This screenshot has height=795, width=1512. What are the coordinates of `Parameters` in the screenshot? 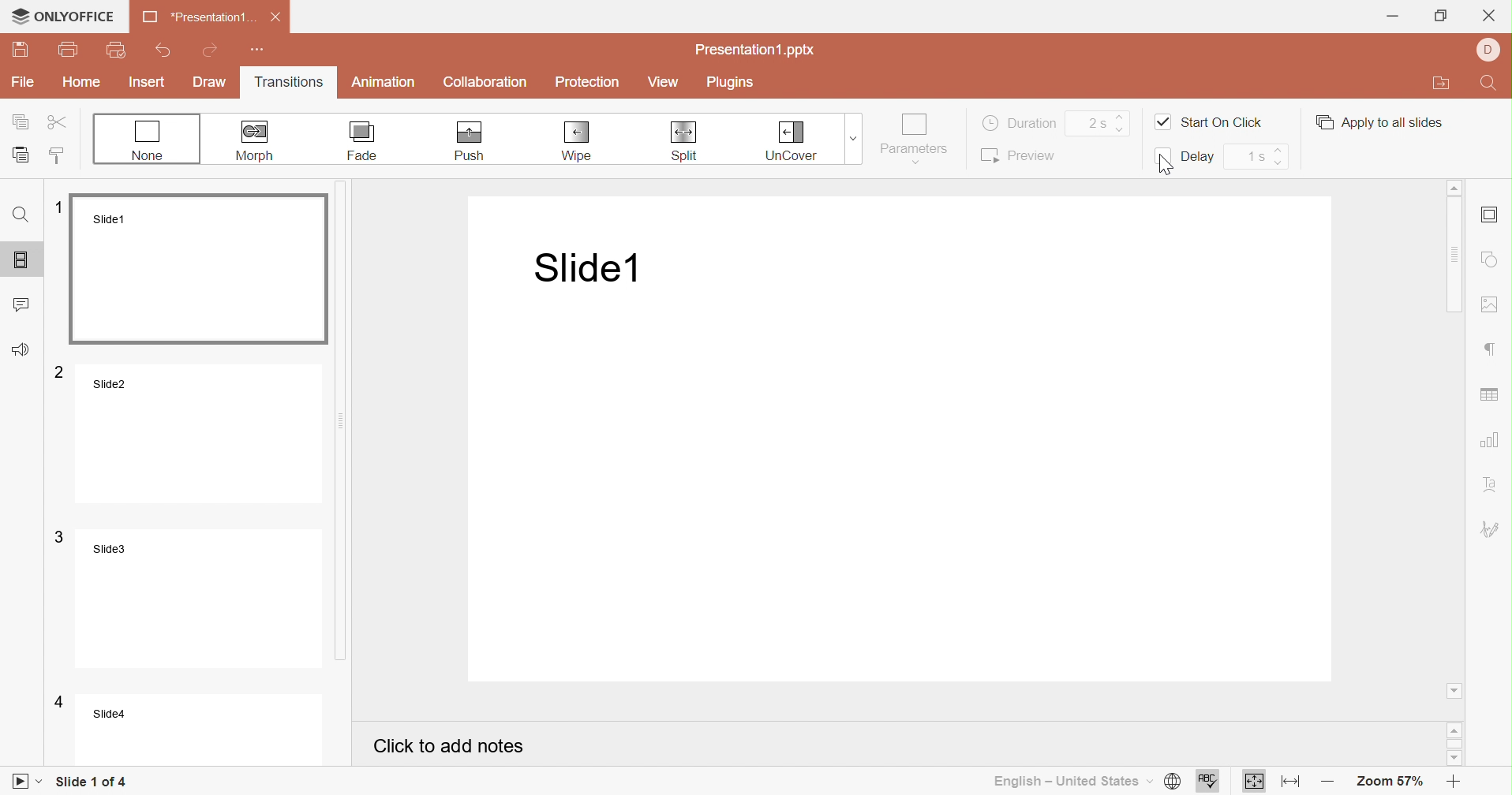 It's located at (914, 139).